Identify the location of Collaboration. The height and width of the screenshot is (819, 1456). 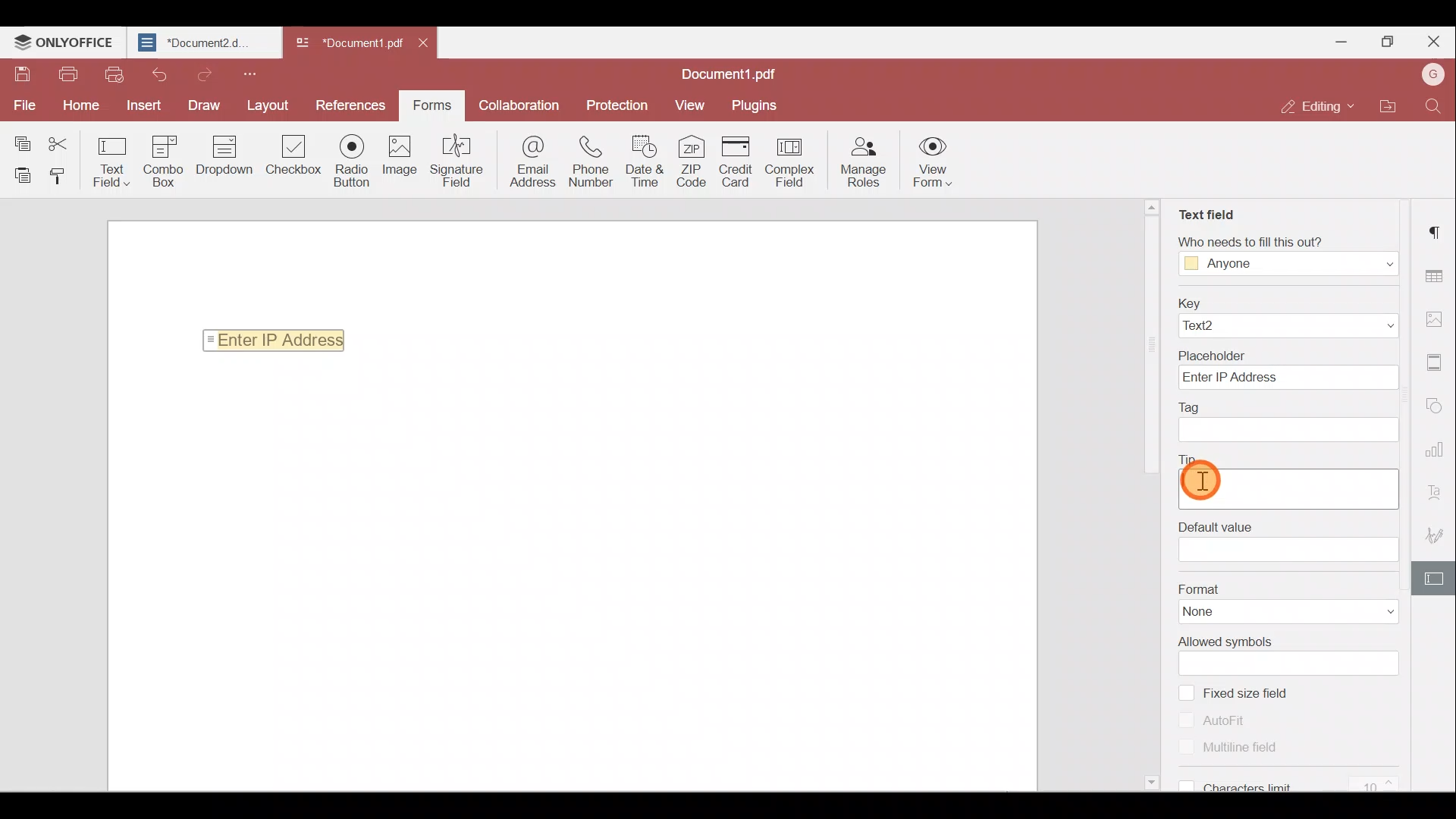
(524, 104).